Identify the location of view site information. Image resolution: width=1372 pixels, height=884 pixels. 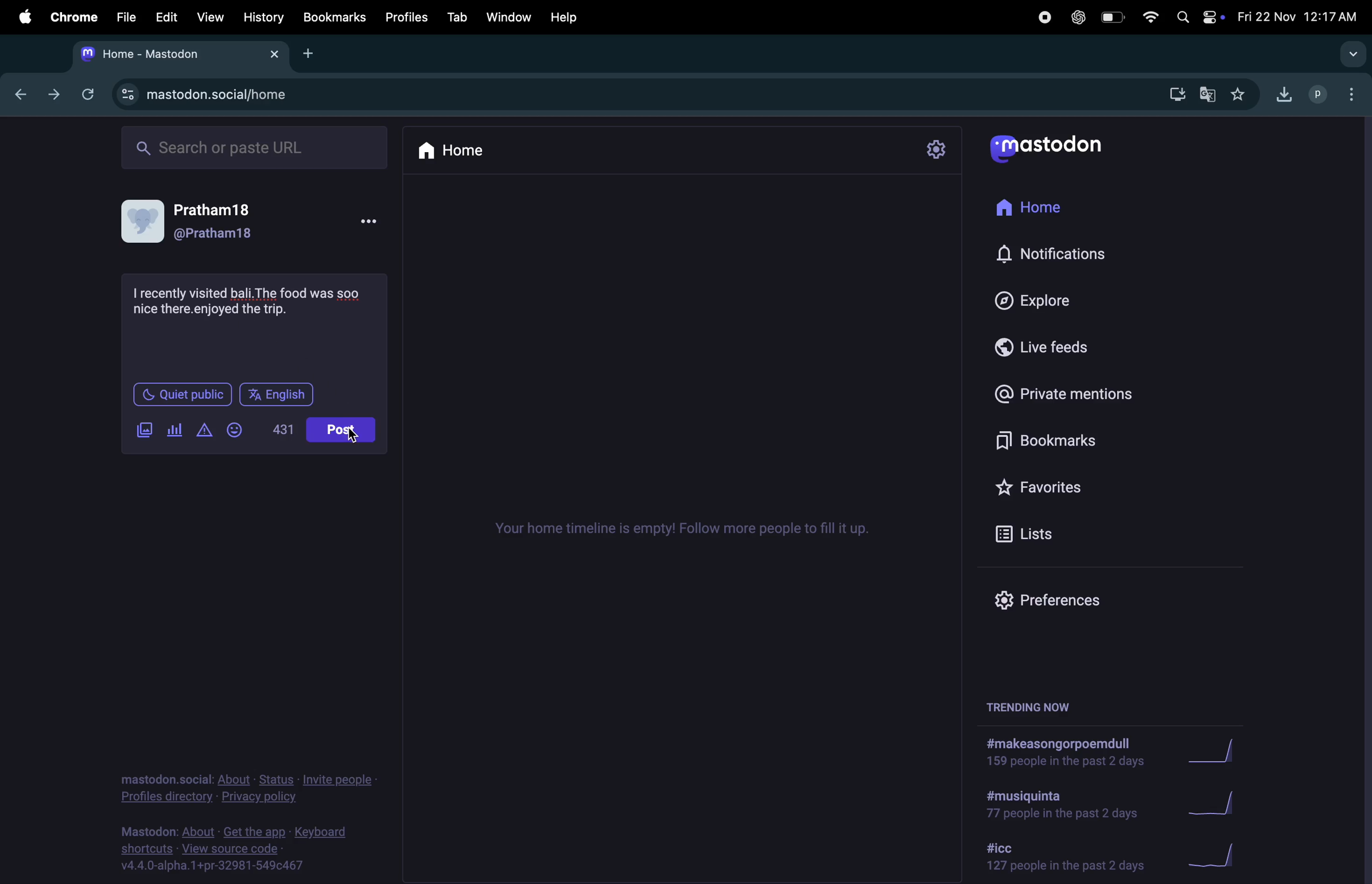
(124, 94).